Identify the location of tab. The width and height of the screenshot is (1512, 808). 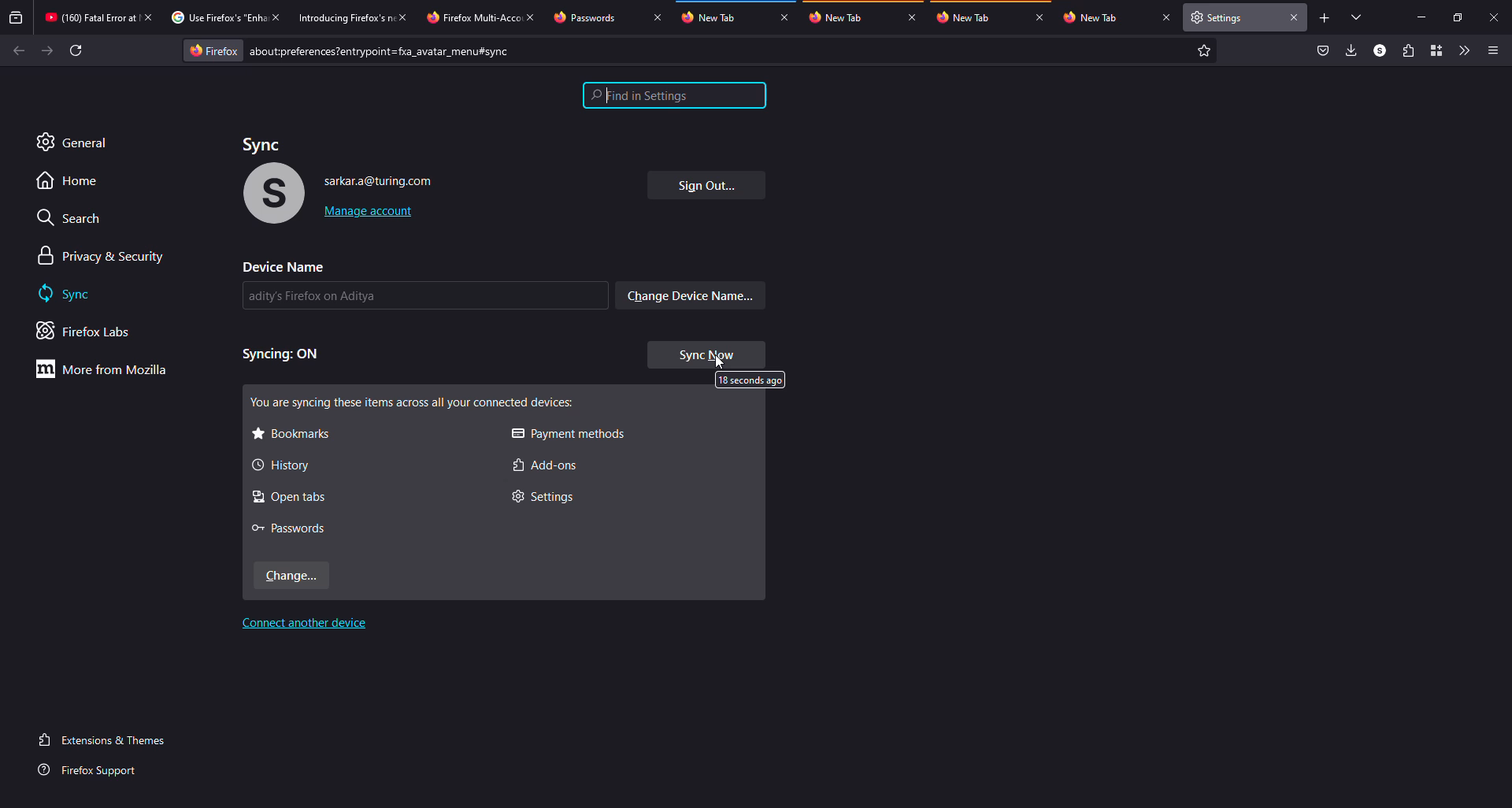
(1233, 17).